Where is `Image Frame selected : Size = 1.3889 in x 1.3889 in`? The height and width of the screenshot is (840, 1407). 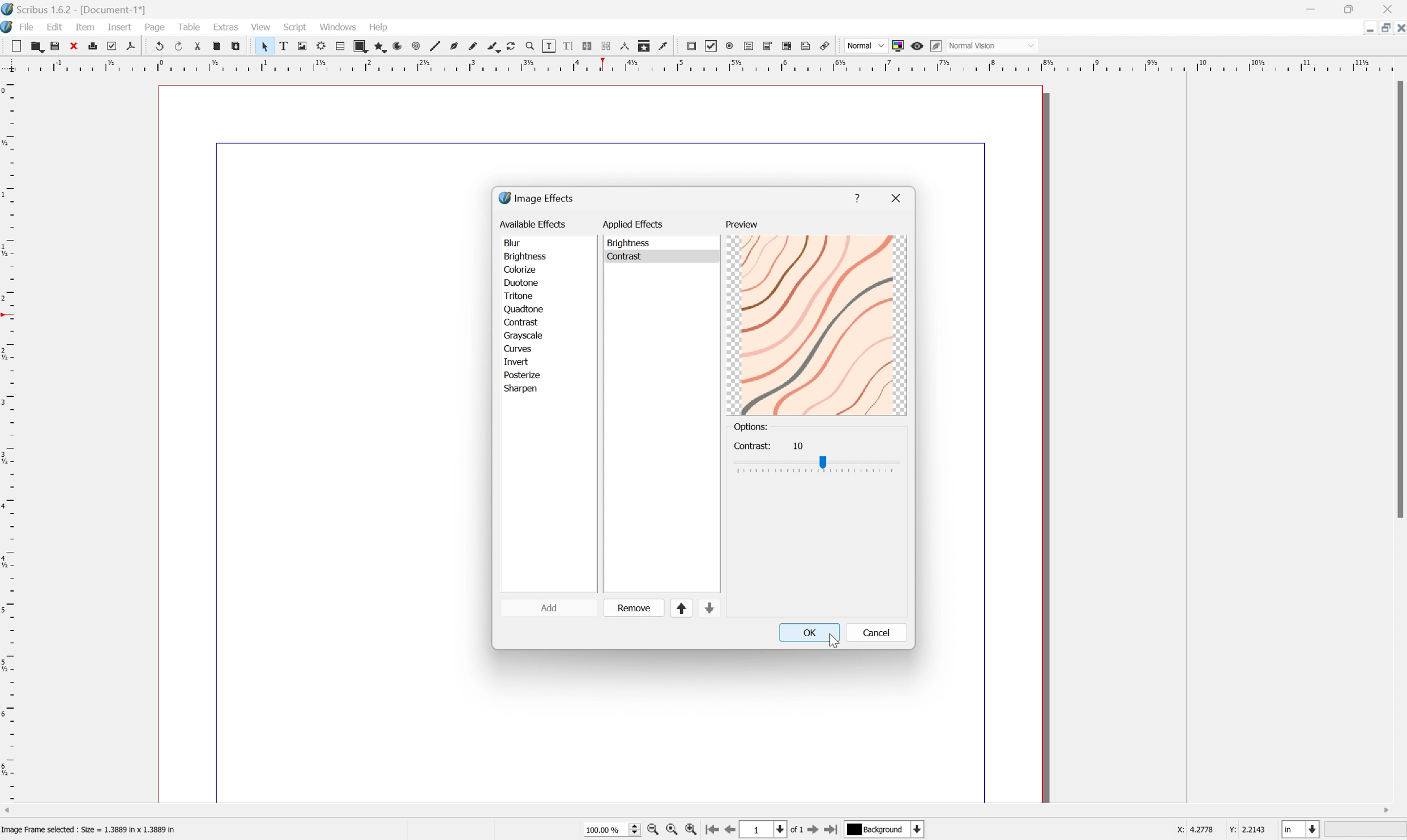 Image Frame selected : Size = 1.3889 in x 1.3889 in is located at coordinates (89, 830).